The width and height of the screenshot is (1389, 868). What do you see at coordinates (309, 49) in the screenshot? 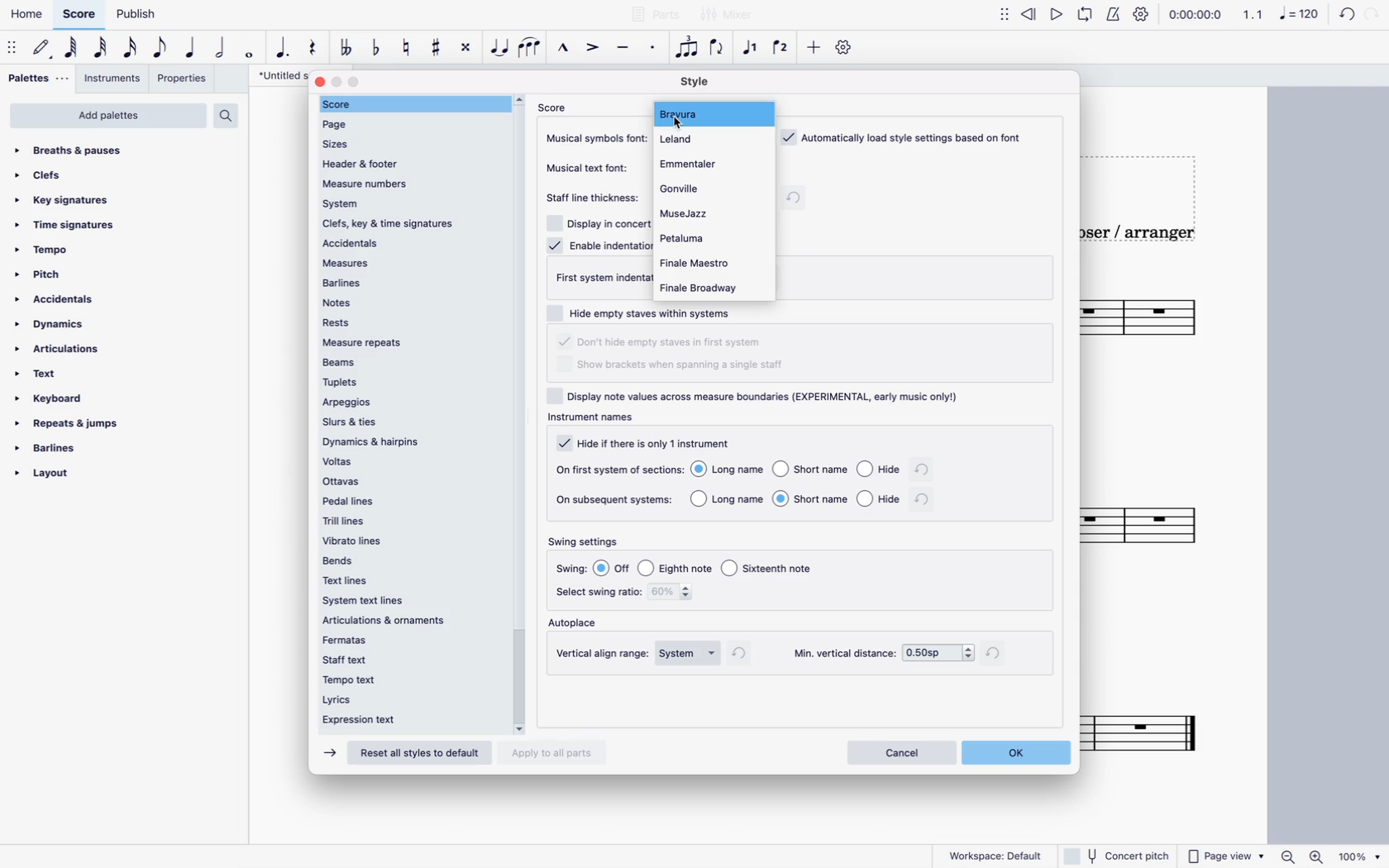
I see `Track` at bounding box center [309, 49].